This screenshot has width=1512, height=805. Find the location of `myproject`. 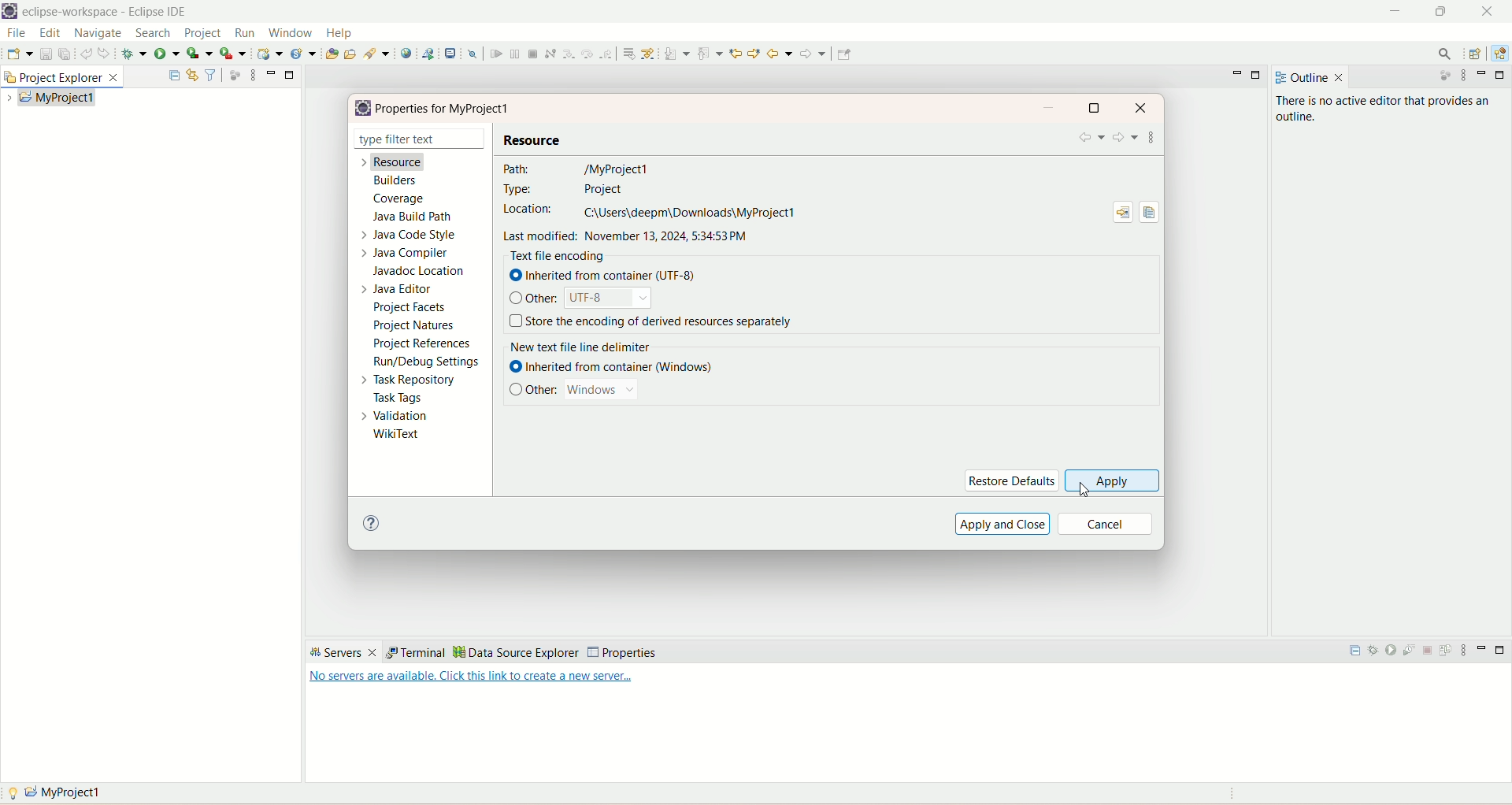

myproject is located at coordinates (56, 793).